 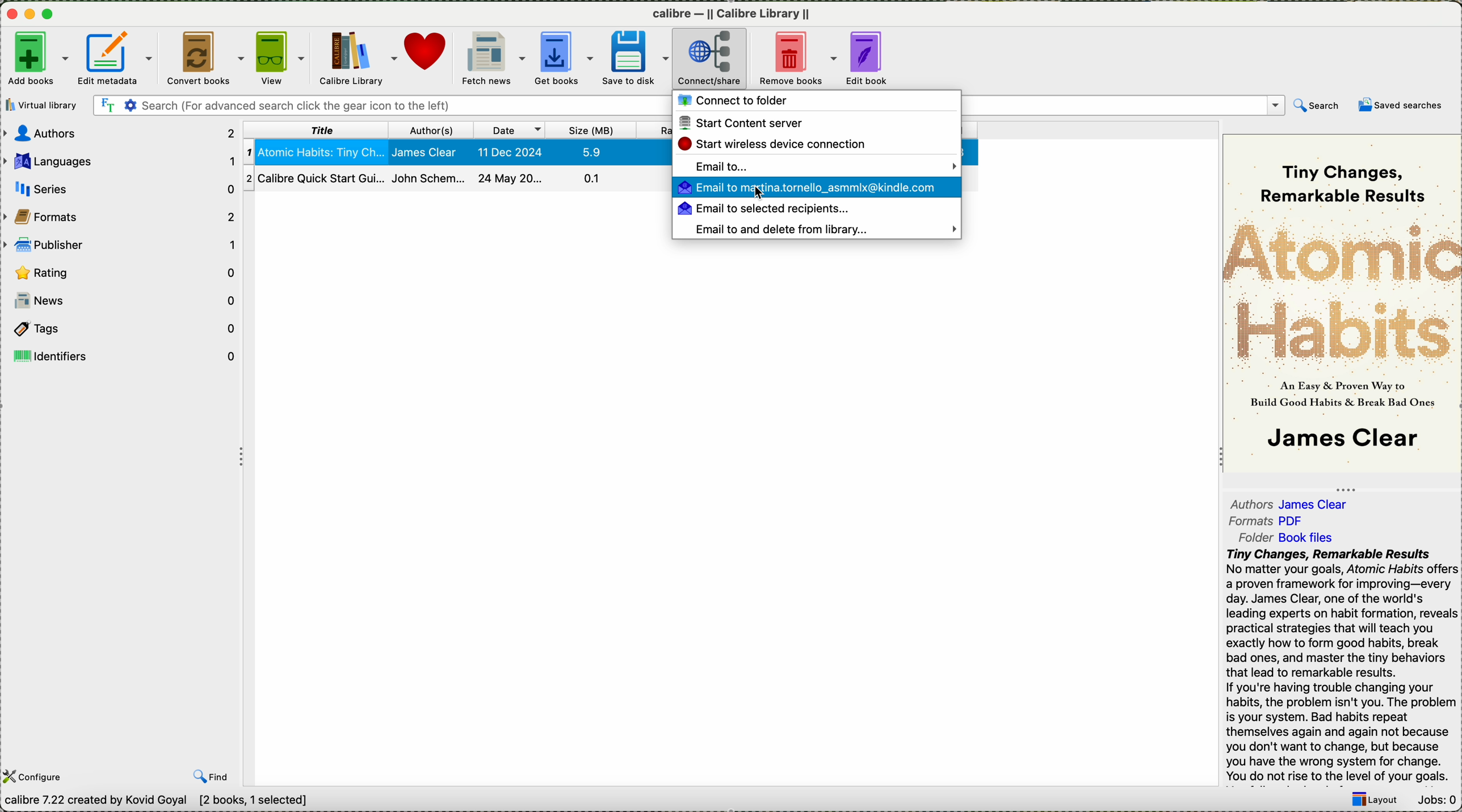 I want to click on date, so click(x=511, y=129).